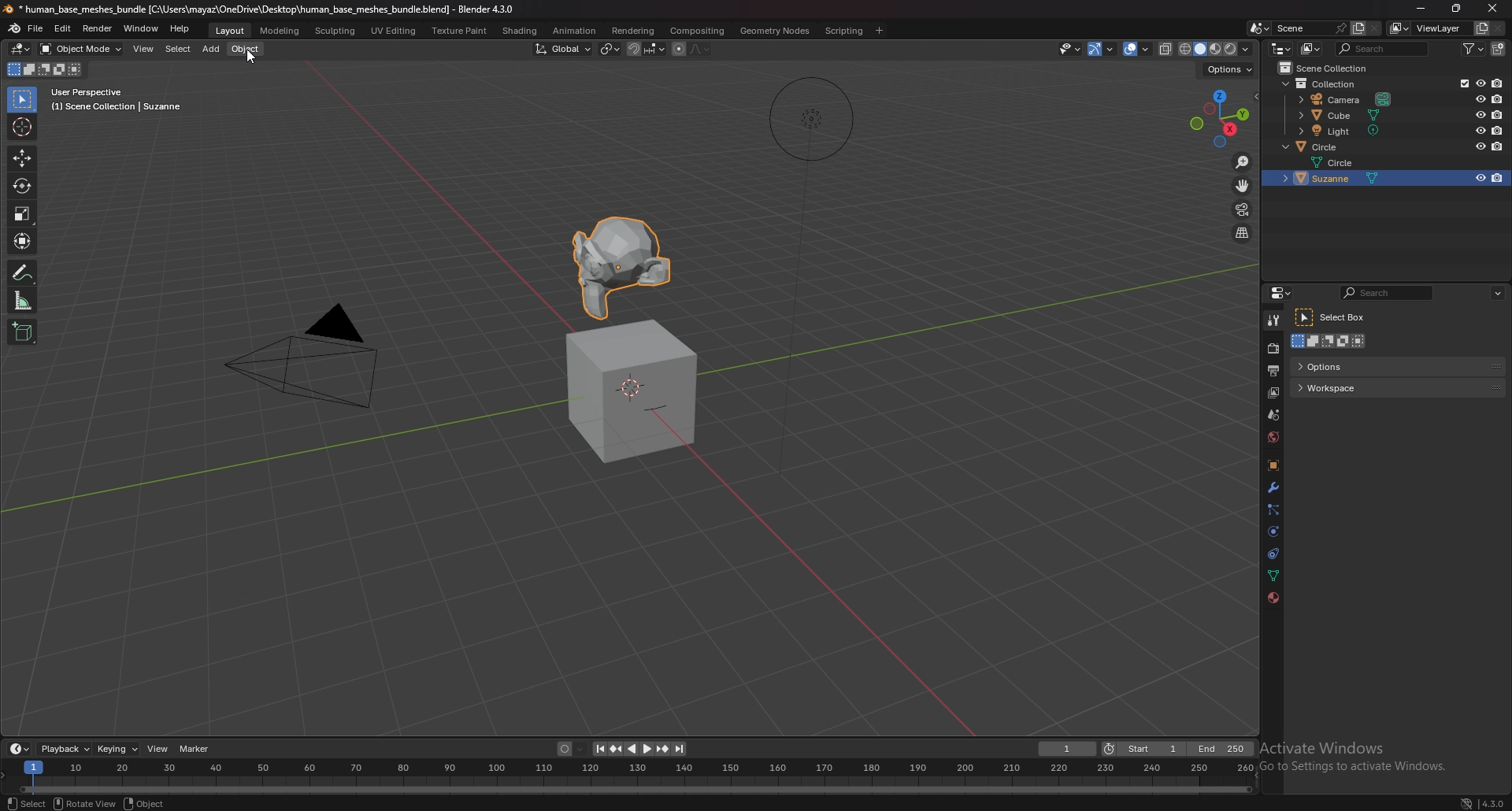 This screenshot has height=811, width=1512. Describe the element at coordinates (1274, 371) in the screenshot. I see `output` at that location.